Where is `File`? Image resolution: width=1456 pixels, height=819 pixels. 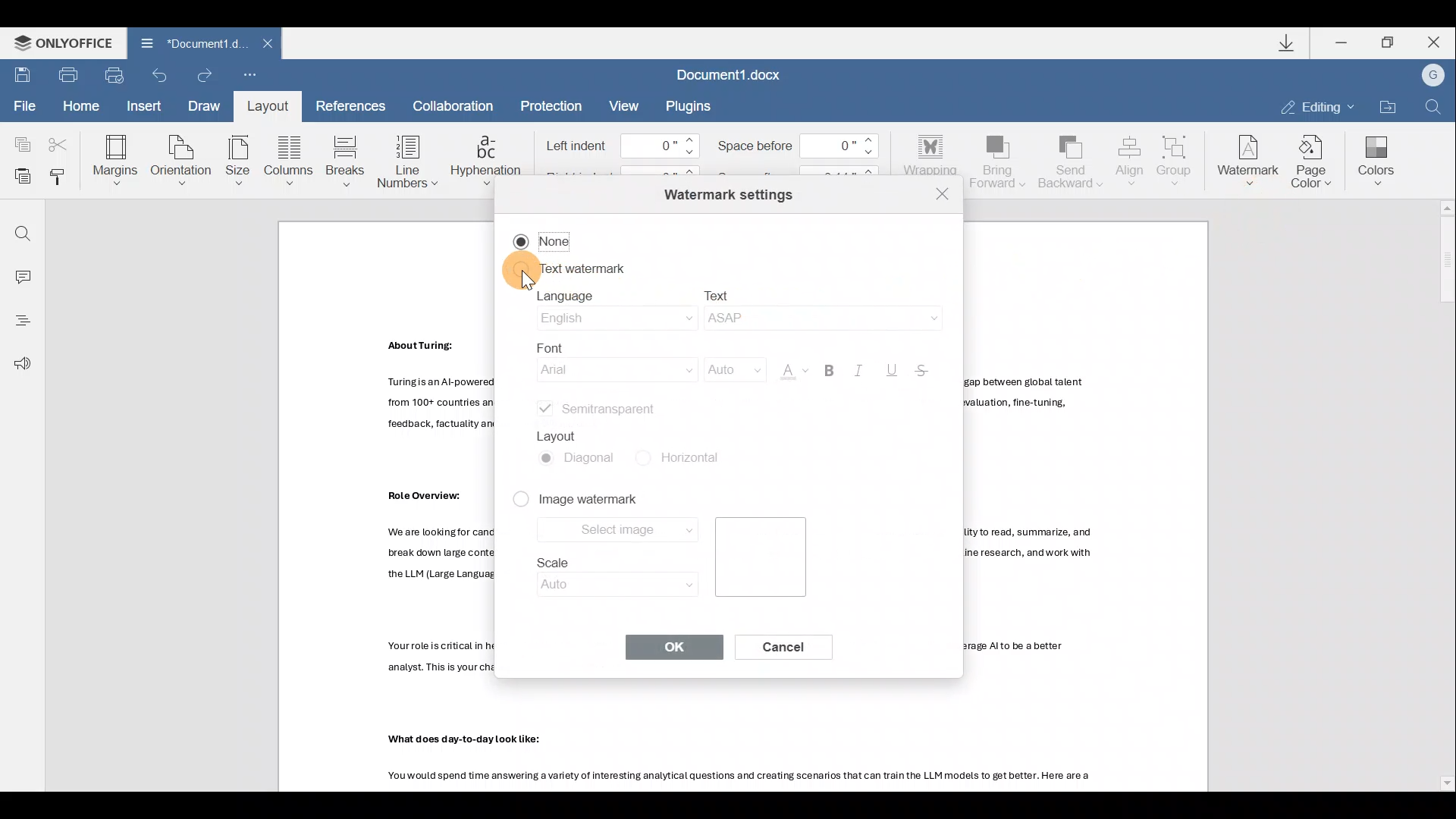 File is located at coordinates (21, 106).